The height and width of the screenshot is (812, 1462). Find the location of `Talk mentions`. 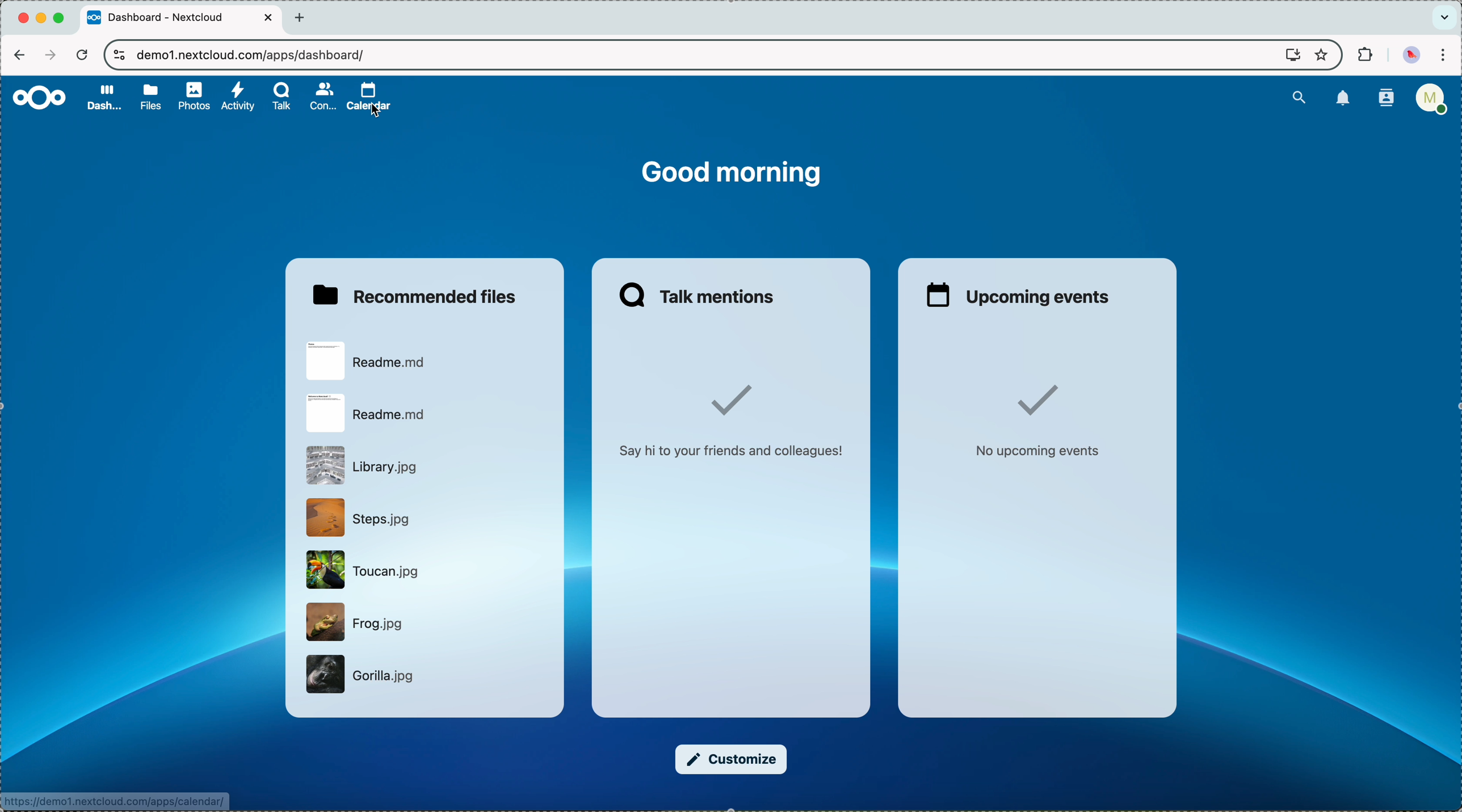

Talk mentions is located at coordinates (700, 294).